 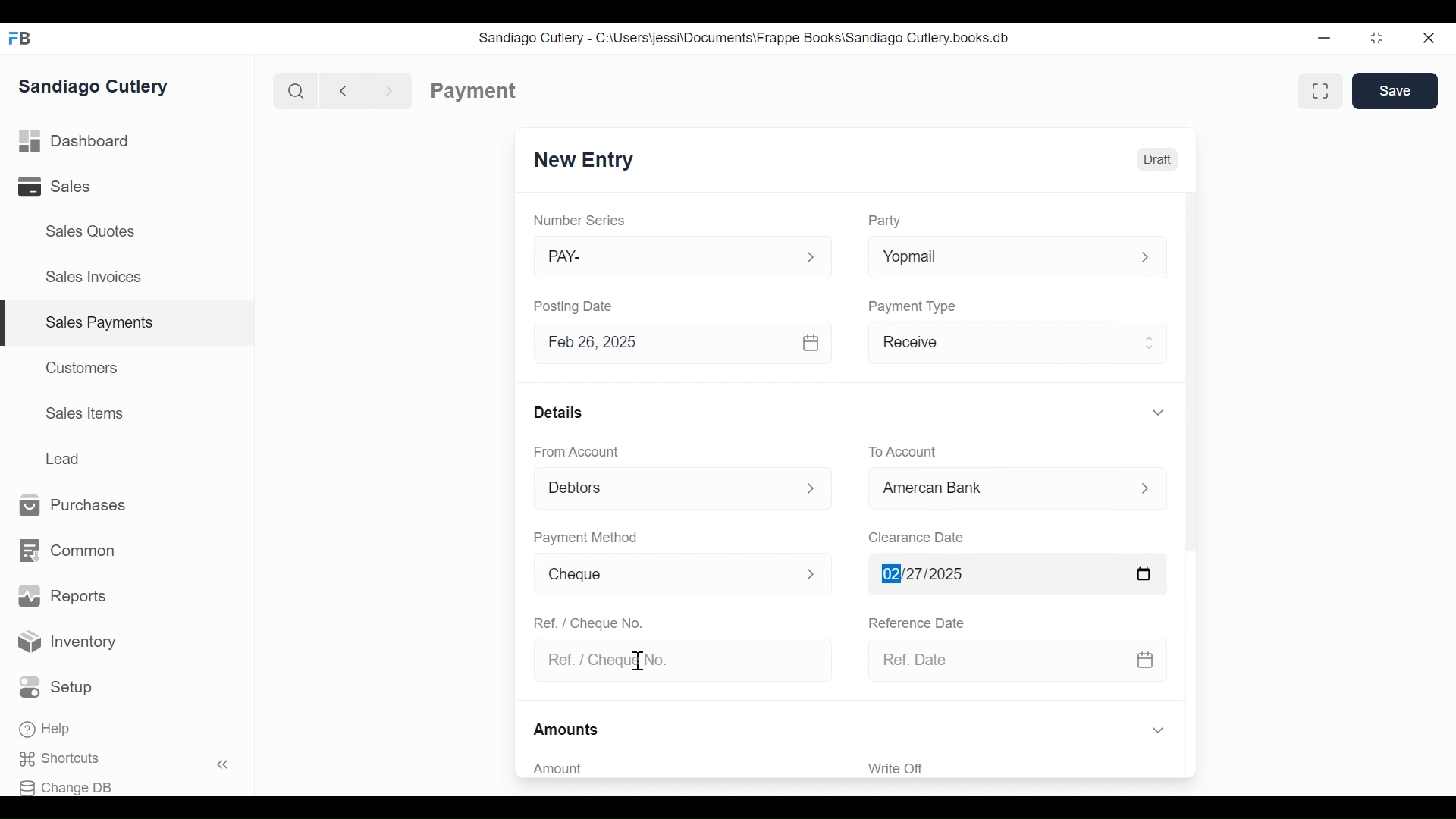 What do you see at coordinates (584, 161) in the screenshot?
I see `New Entry` at bounding box center [584, 161].